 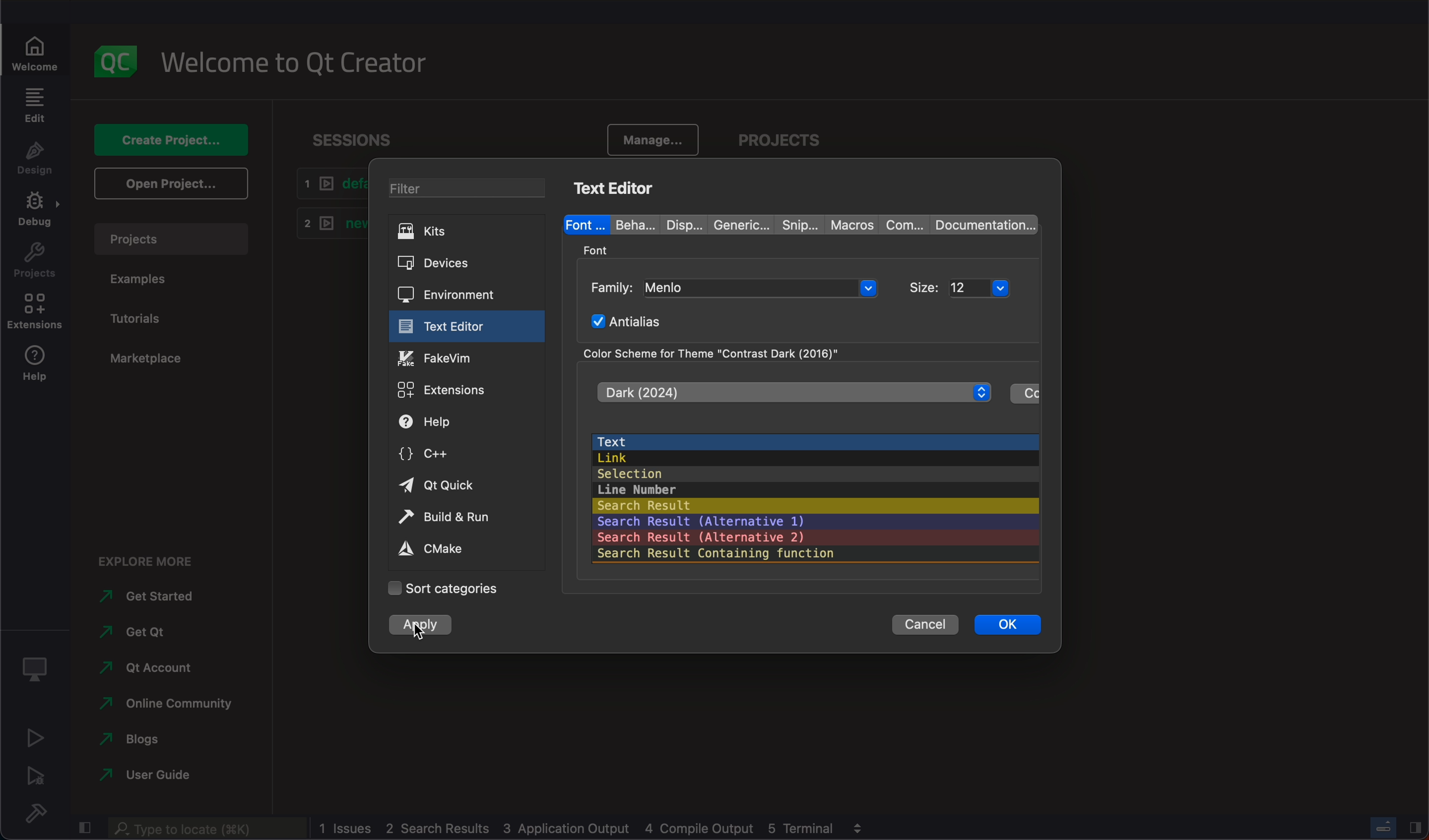 What do you see at coordinates (983, 224) in the screenshot?
I see `documentation` at bounding box center [983, 224].